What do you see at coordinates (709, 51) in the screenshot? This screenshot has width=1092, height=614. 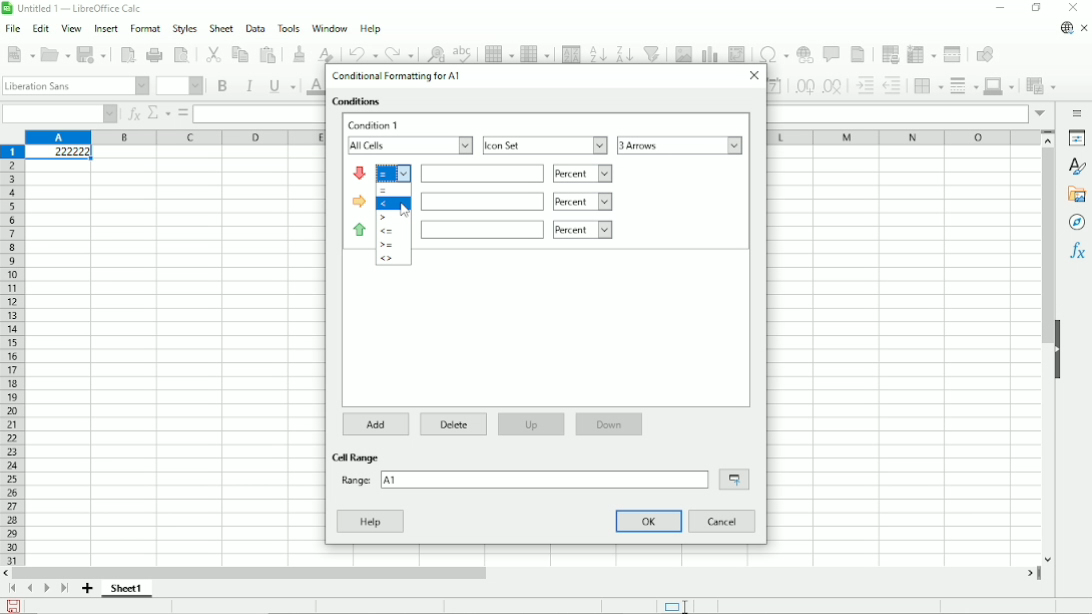 I see `Insert chart` at bounding box center [709, 51].